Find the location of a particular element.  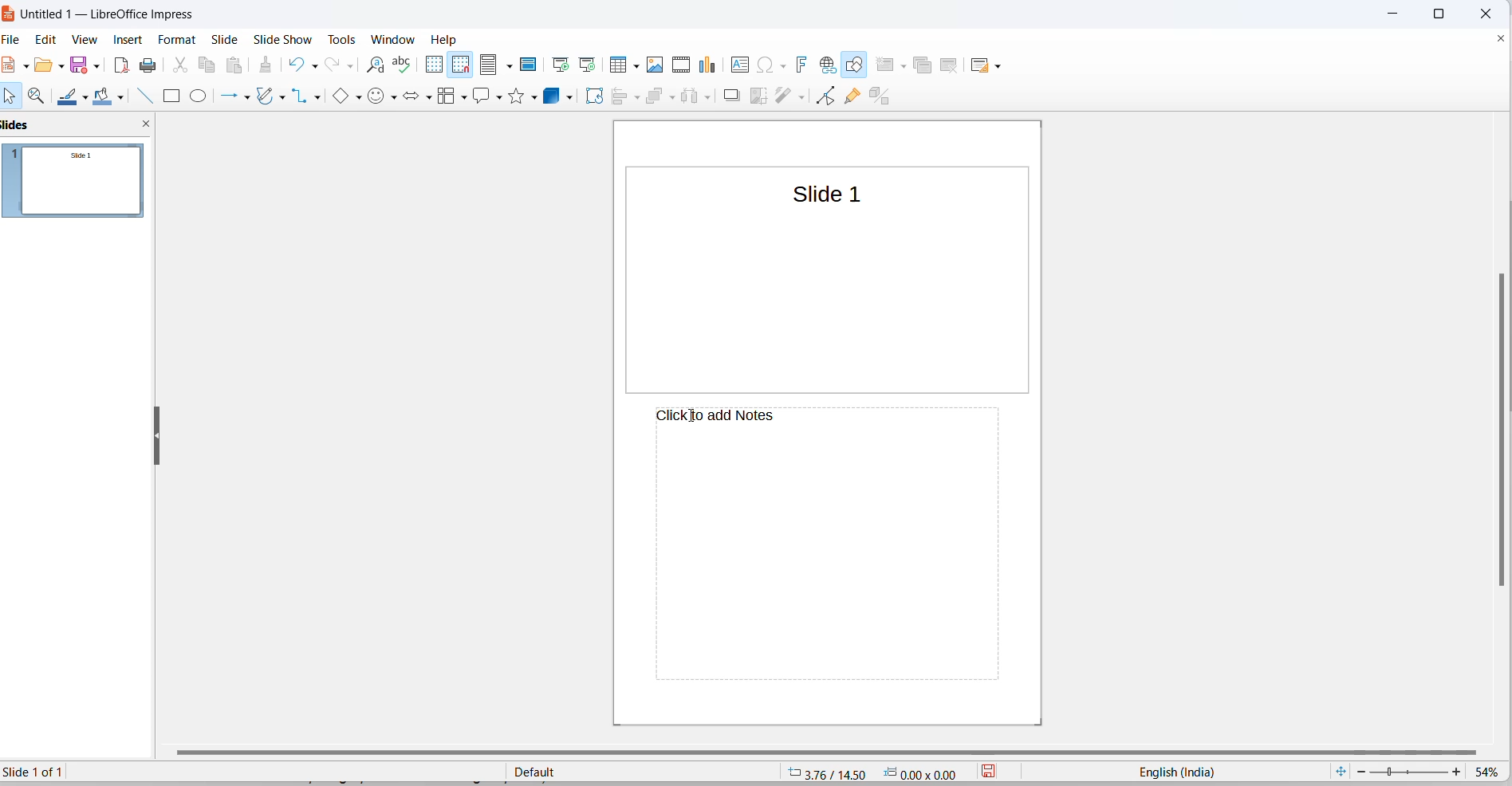

insert chart is located at coordinates (711, 66).